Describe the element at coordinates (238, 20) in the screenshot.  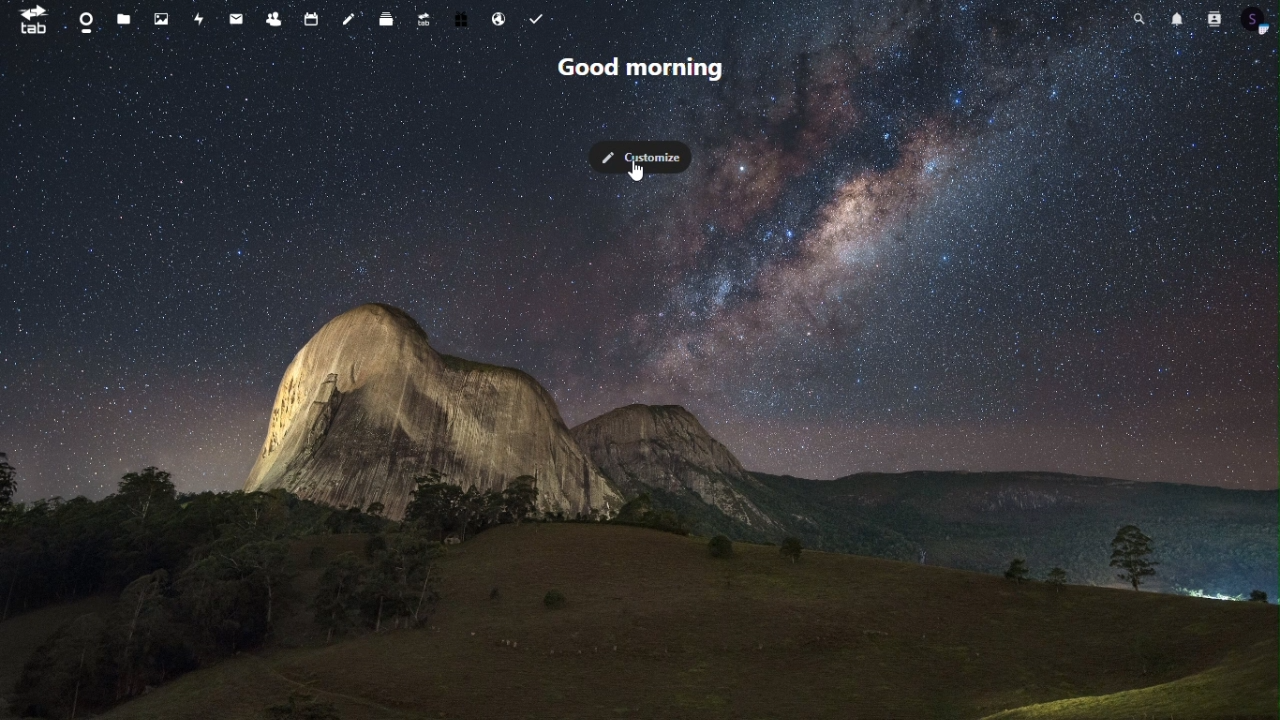
I see `message` at that location.